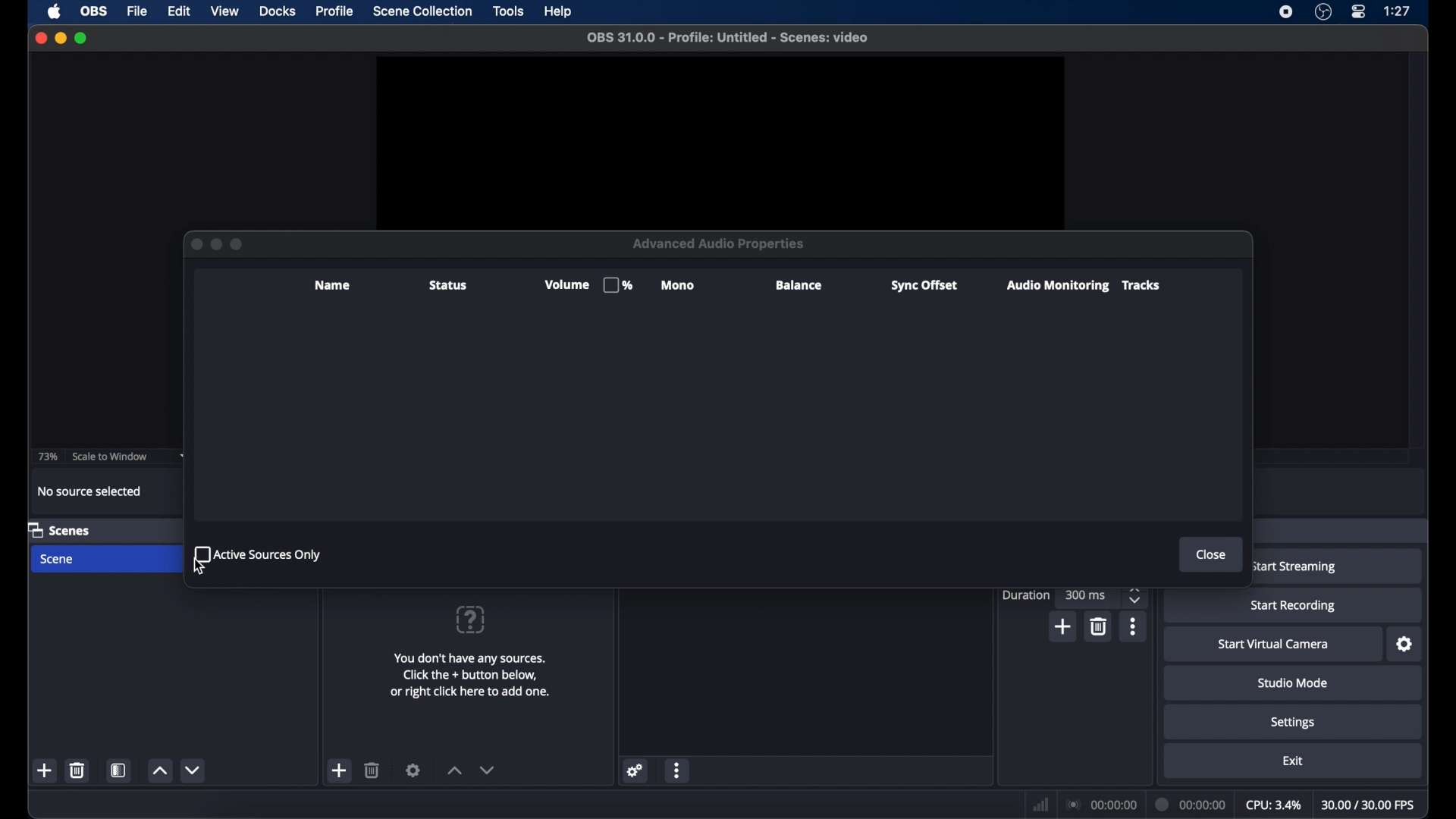 The height and width of the screenshot is (819, 1456). What do you see at coordinates (238, 243) in the screenshot?
I see `disabled icons` at bounding box center [238, 243].